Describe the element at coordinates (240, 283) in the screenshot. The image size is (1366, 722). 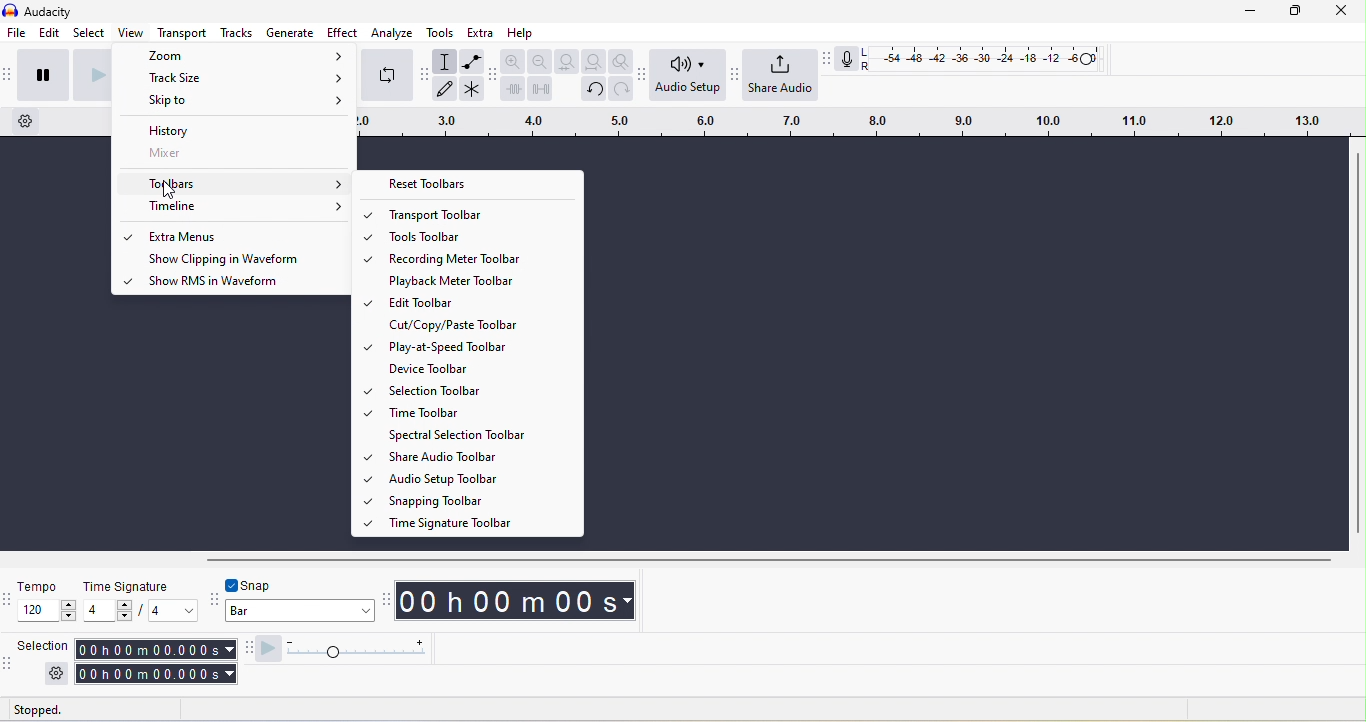
I see `show RMS in waveform` at that location.